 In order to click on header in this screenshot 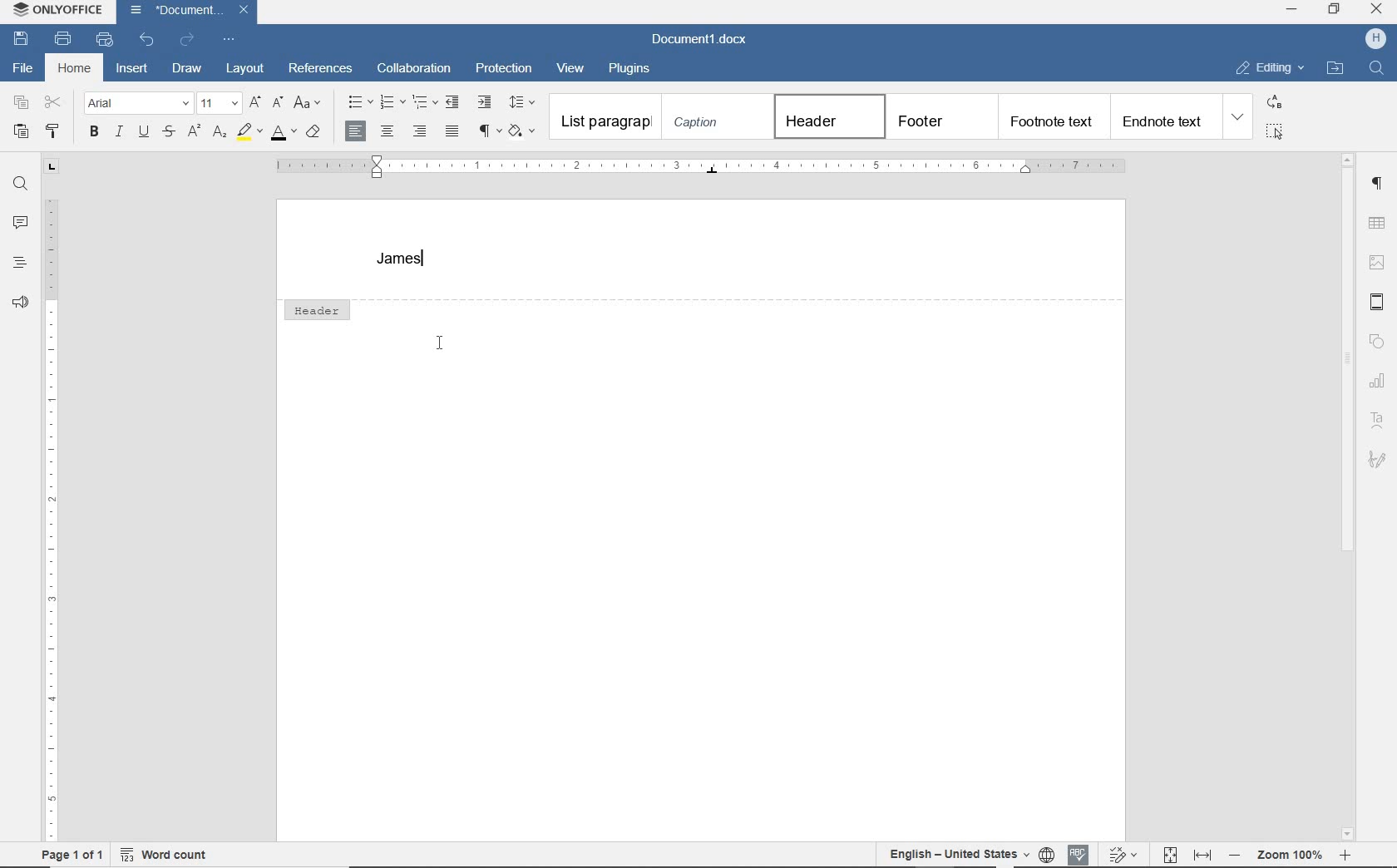, I will do `click(316, 308)`.